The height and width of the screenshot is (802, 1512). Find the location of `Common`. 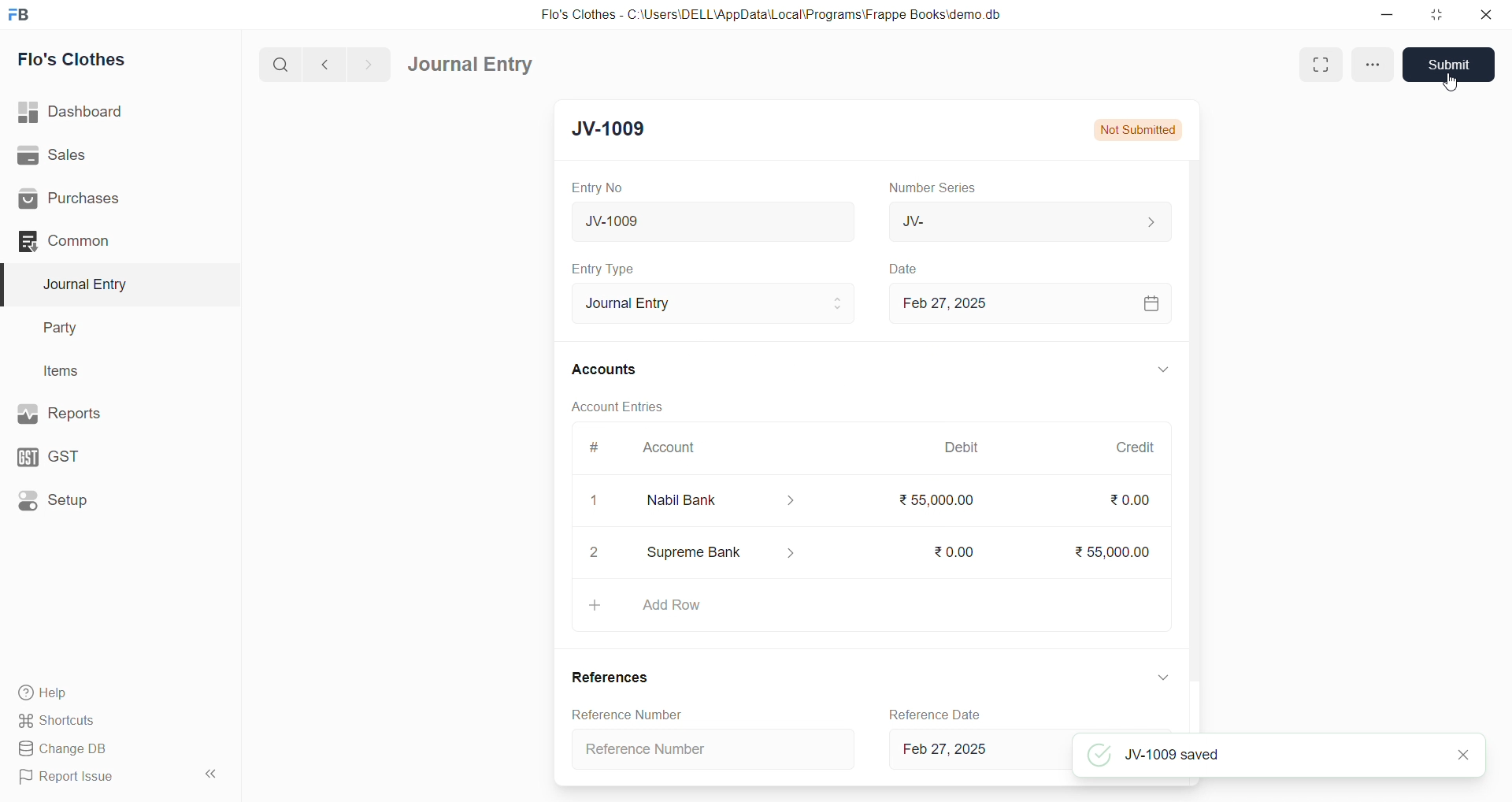

Common is located at coordinates (94, 242).